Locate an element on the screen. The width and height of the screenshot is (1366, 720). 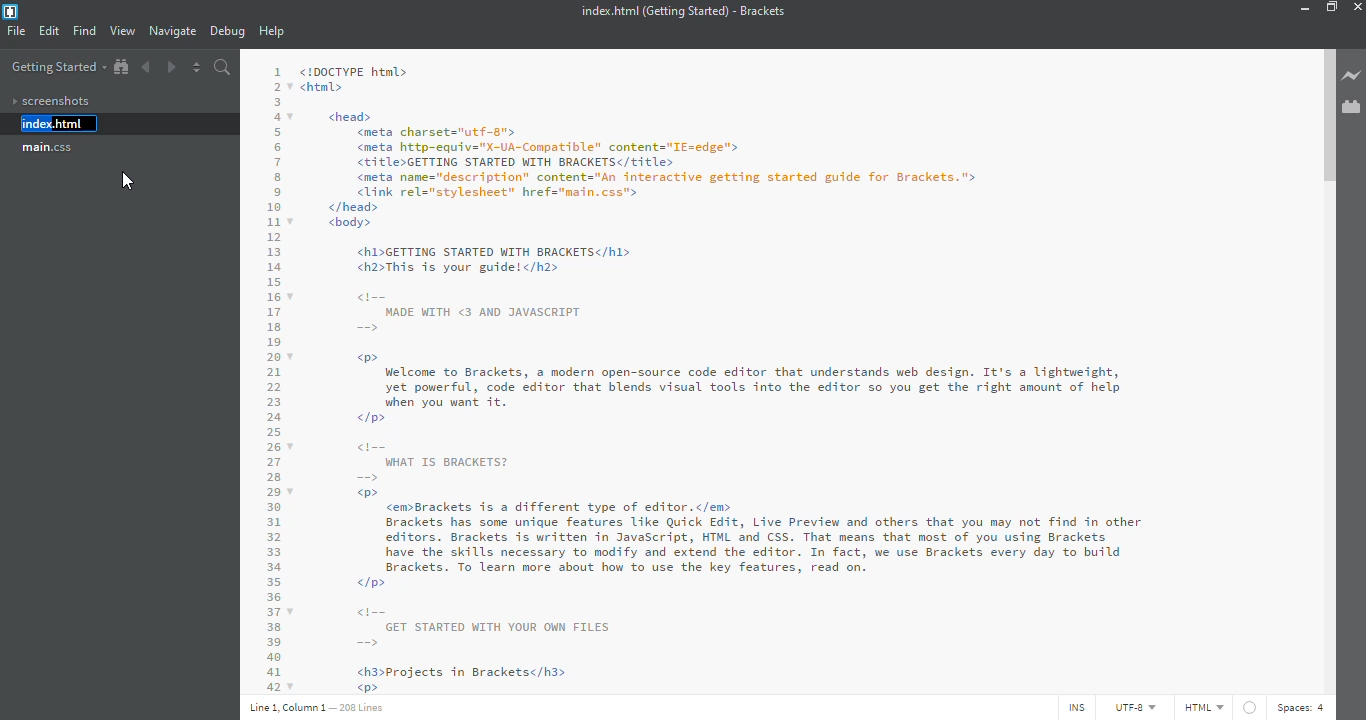
screenshots is located at coordinates (50, 101).